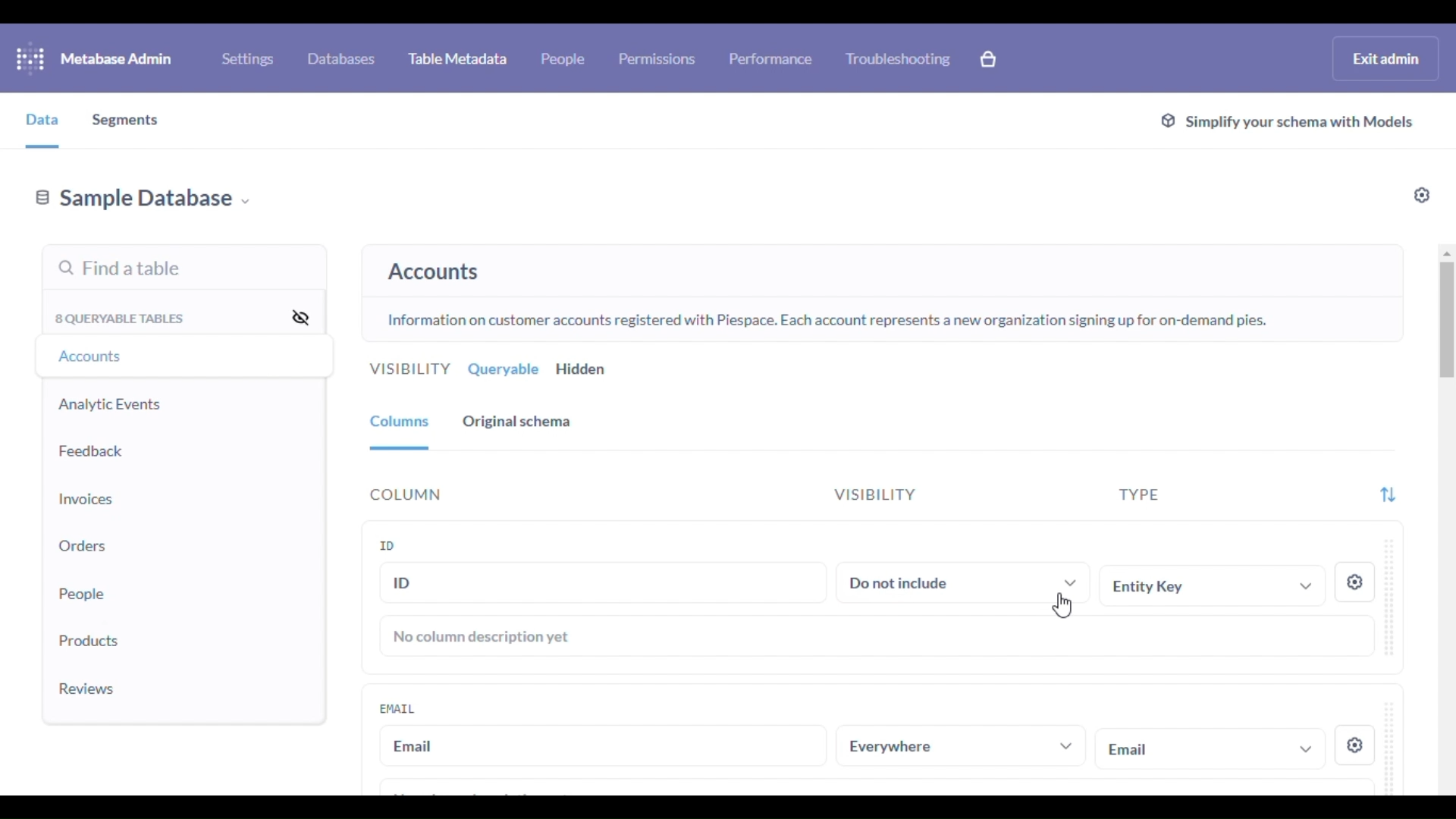 This screenshot has height=819, width=1456. I want to click on select any table to see its schema and add or edit metadata., so click(893, 262).